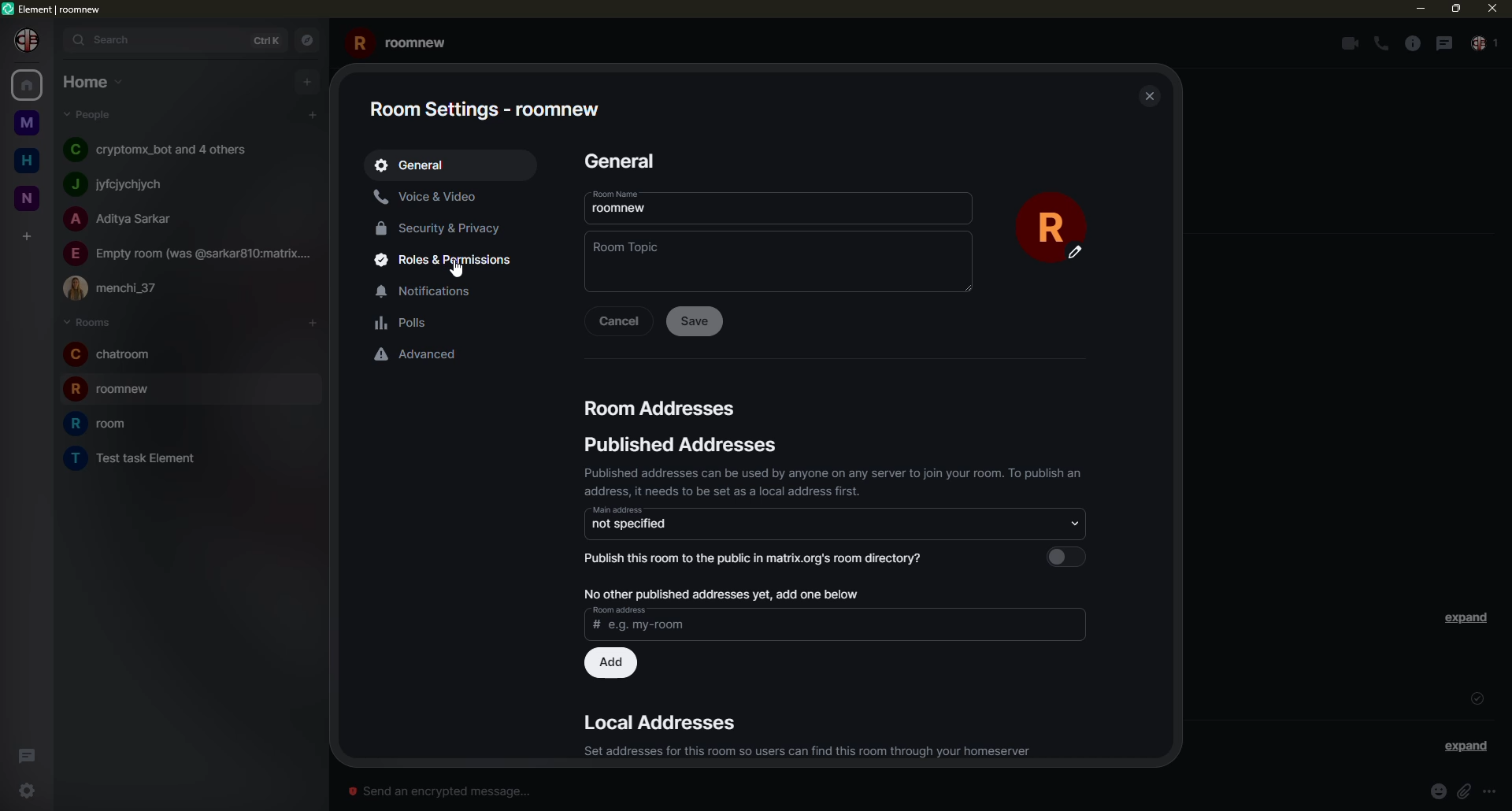  What do you see at coordinates (447, 228) in the screenshot?
I see `security` at bounding box center [447, 228].